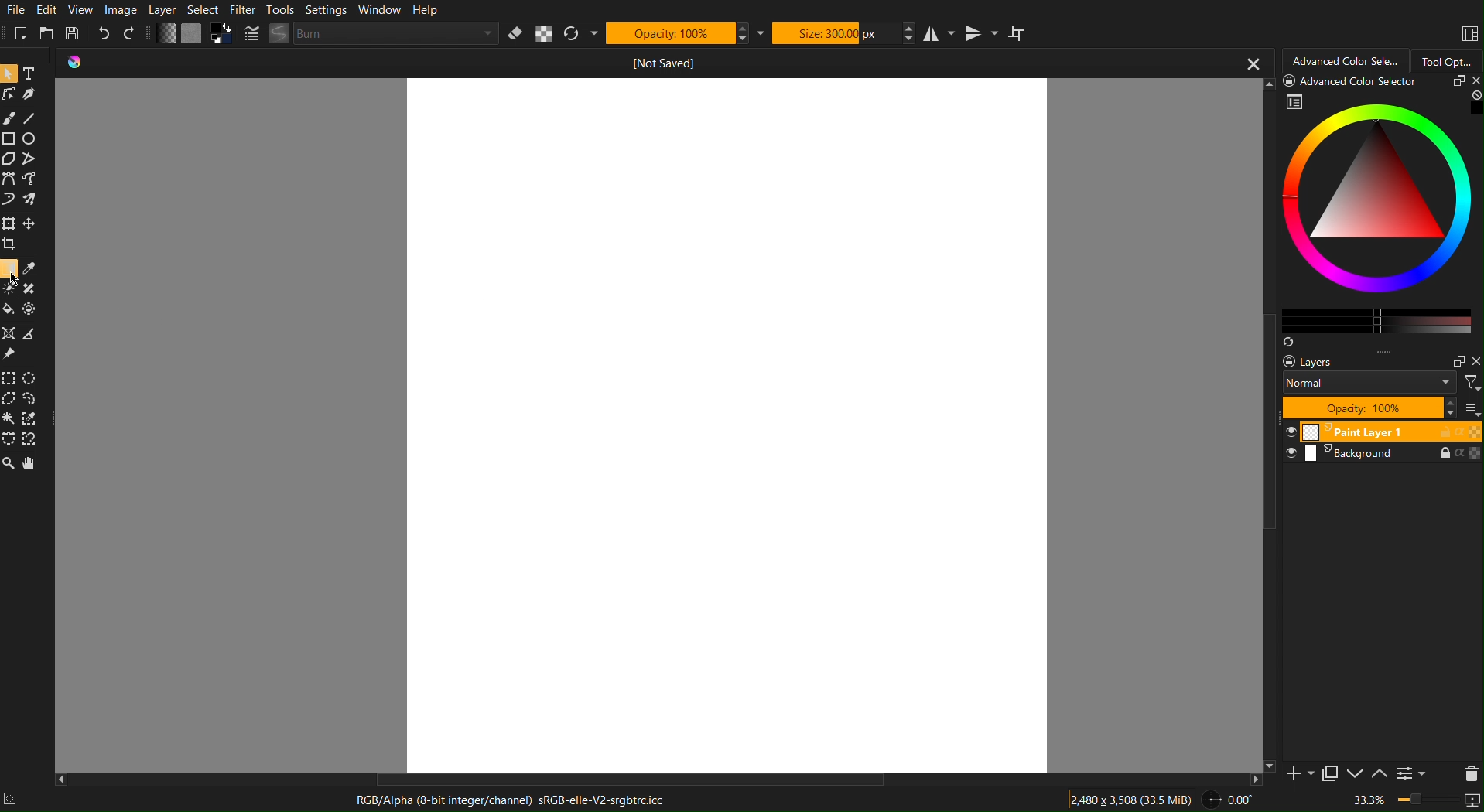  Describe the element at coordinates (939, 32) in the screenshot. I see `Horizontal Mirror` at that location.